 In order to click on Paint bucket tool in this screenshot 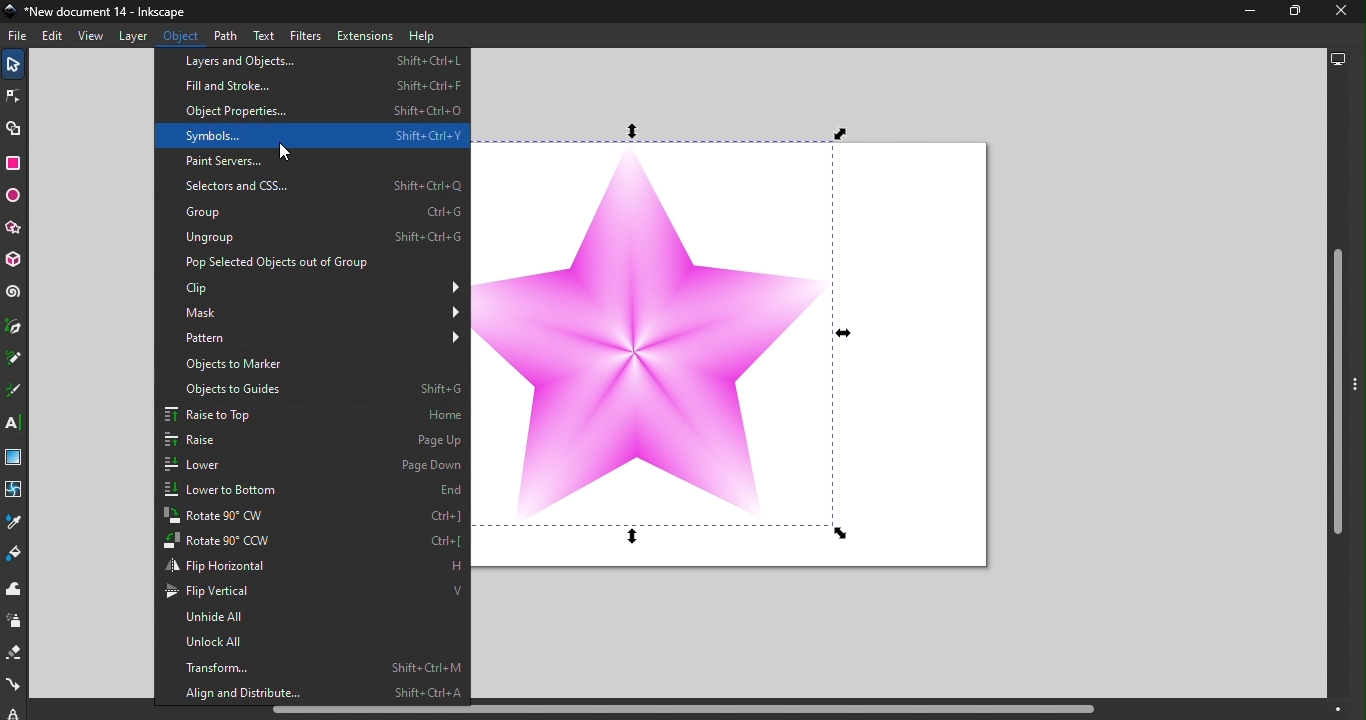, I will do `click(19, 551)`.